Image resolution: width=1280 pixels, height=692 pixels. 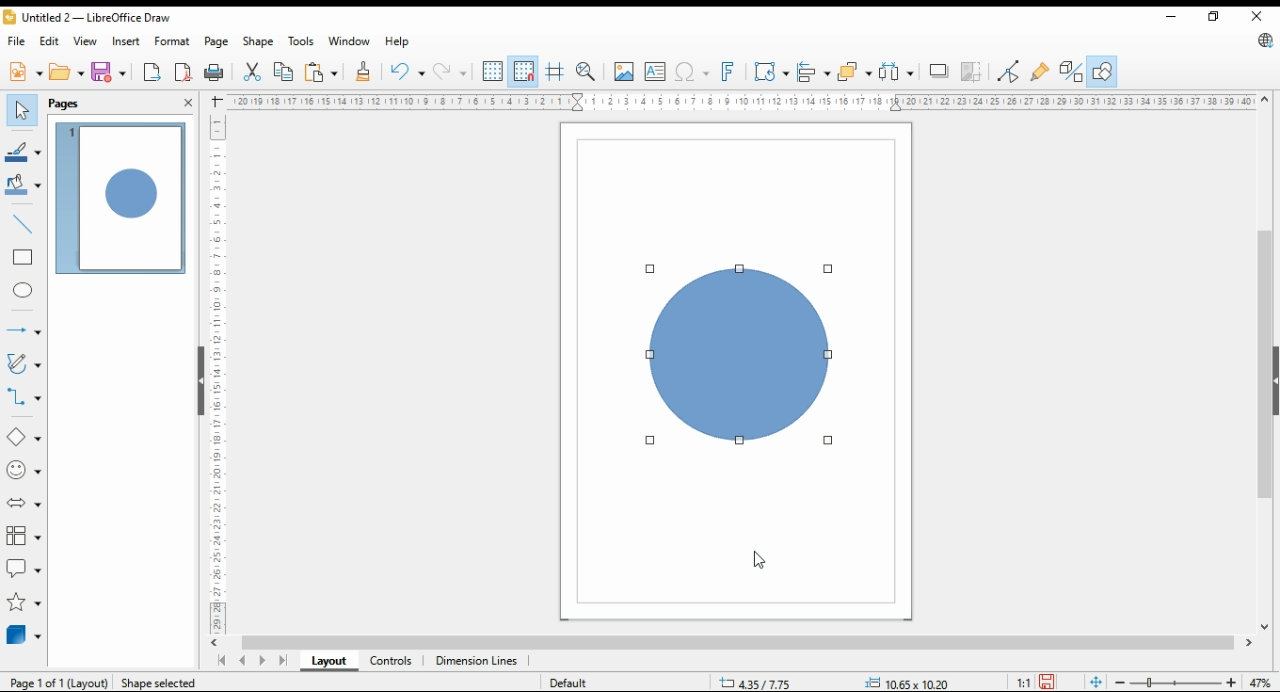 What do you see at coordinates (108, 71) in the screenshot?
I see `save` at bounding box center [108, 71].